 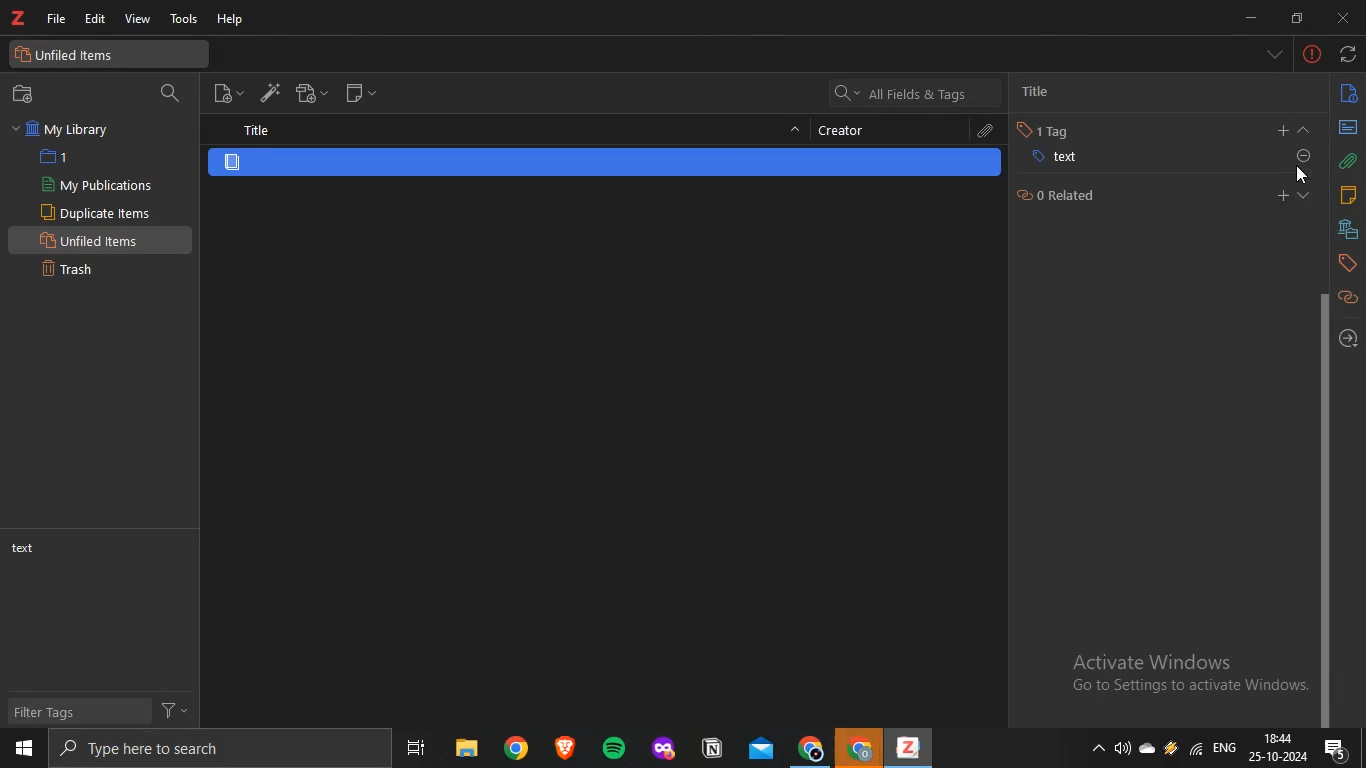 I want to click on speakers, so click(x=1121, y=749).